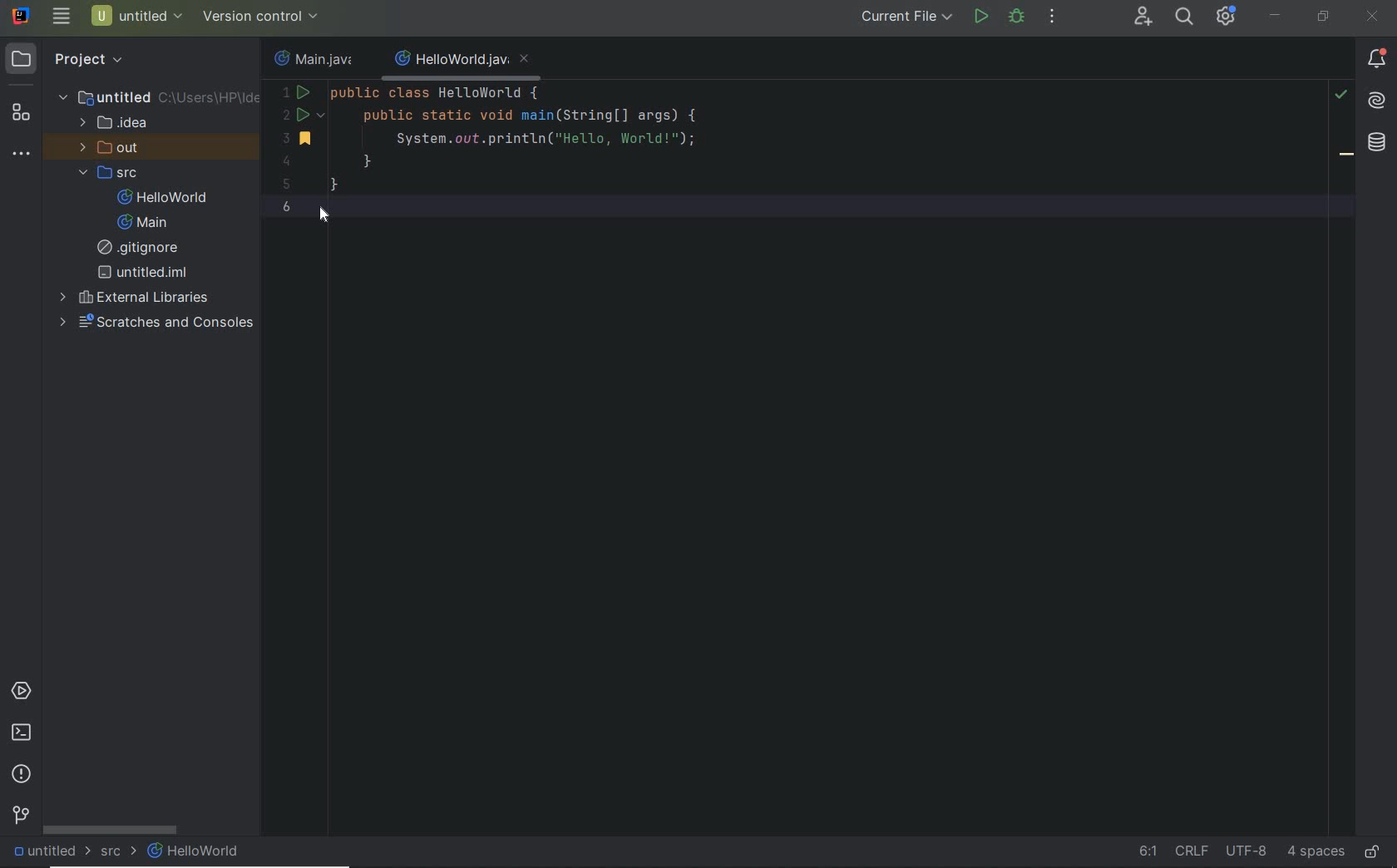 This screenshot has width=1397, height=868. Describe the element at coordinates (1143, 17) in the screenshot. I see `code with me` at that location.